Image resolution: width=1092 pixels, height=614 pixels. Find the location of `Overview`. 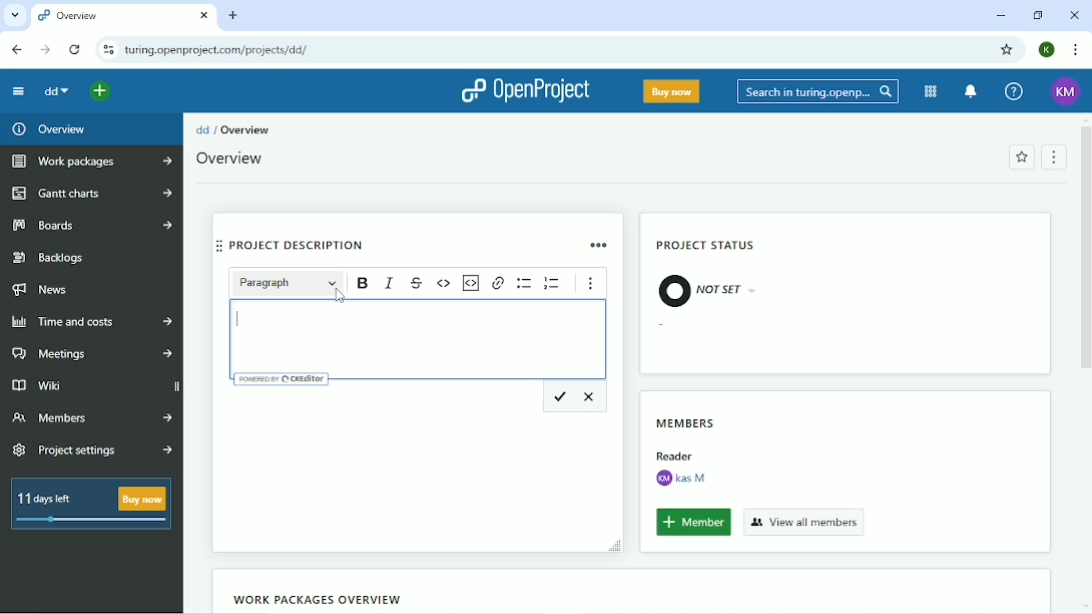

Overview is located at coordinates (246, 130).